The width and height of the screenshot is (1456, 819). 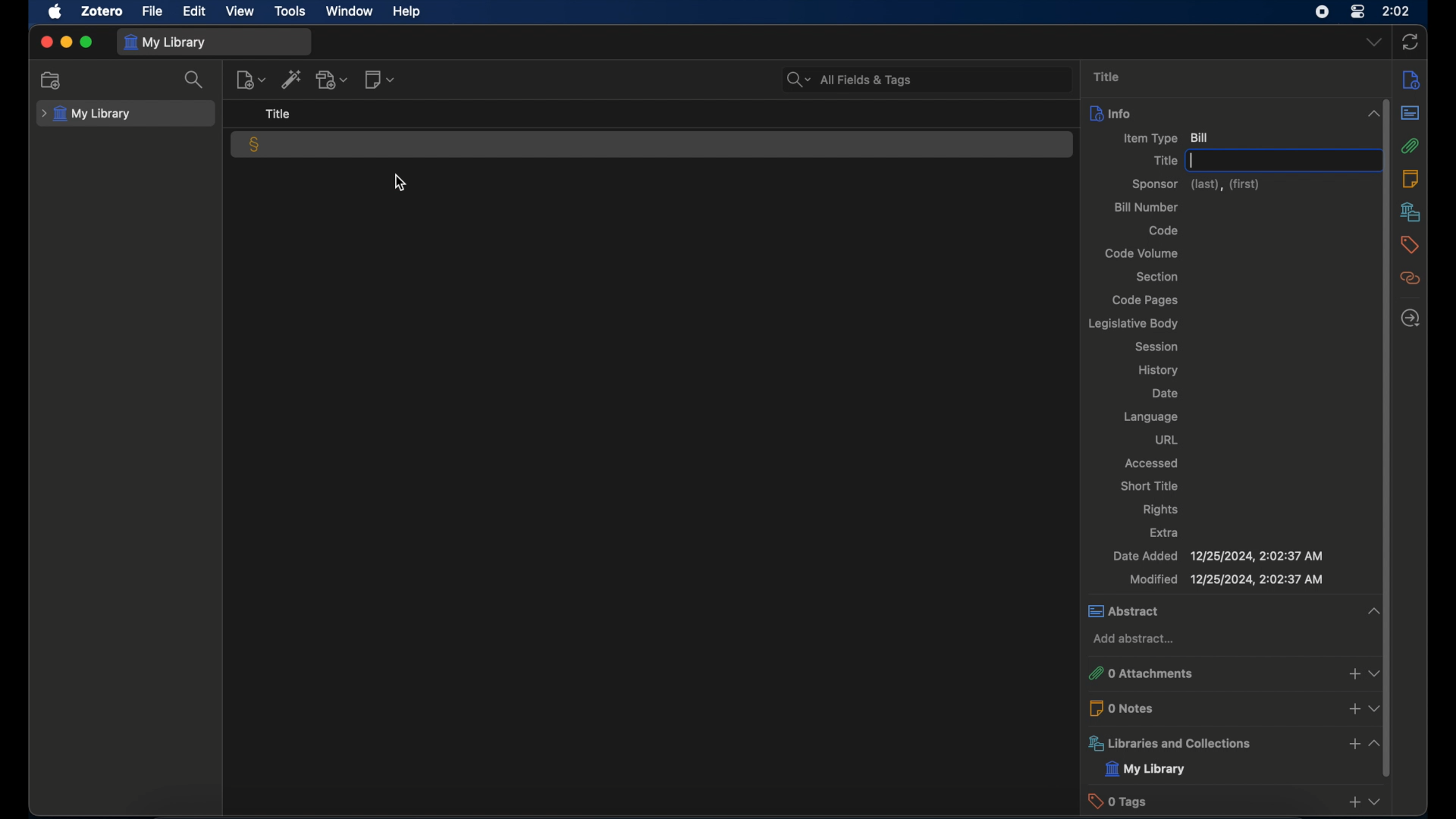 What do you see at coordinates (1145, 208) in the screenshot?
I see `bill number` at bounding box center [1145, 208].